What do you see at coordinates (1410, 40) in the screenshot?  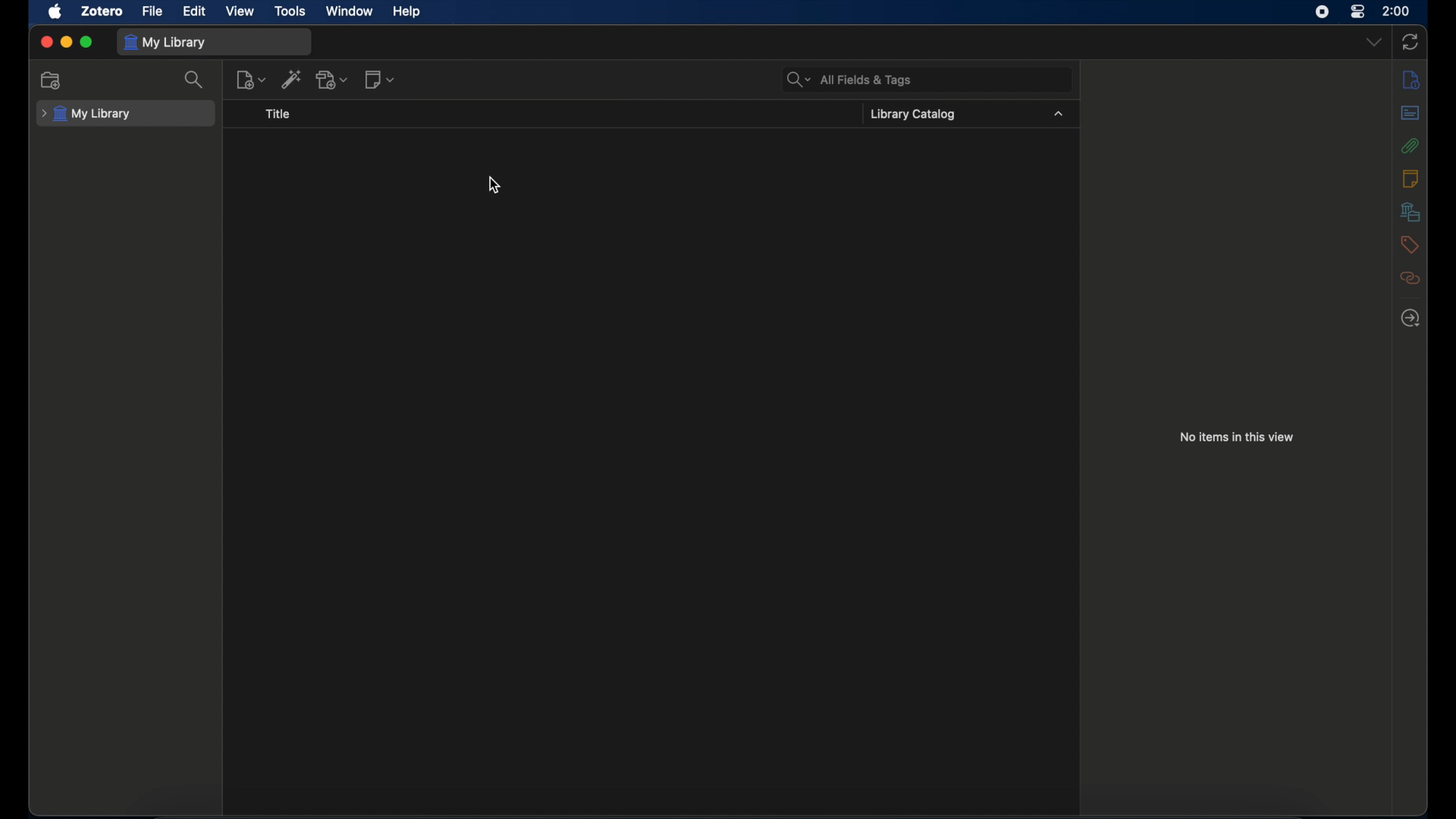 I see `sync` at bounding box center [1410, 40].